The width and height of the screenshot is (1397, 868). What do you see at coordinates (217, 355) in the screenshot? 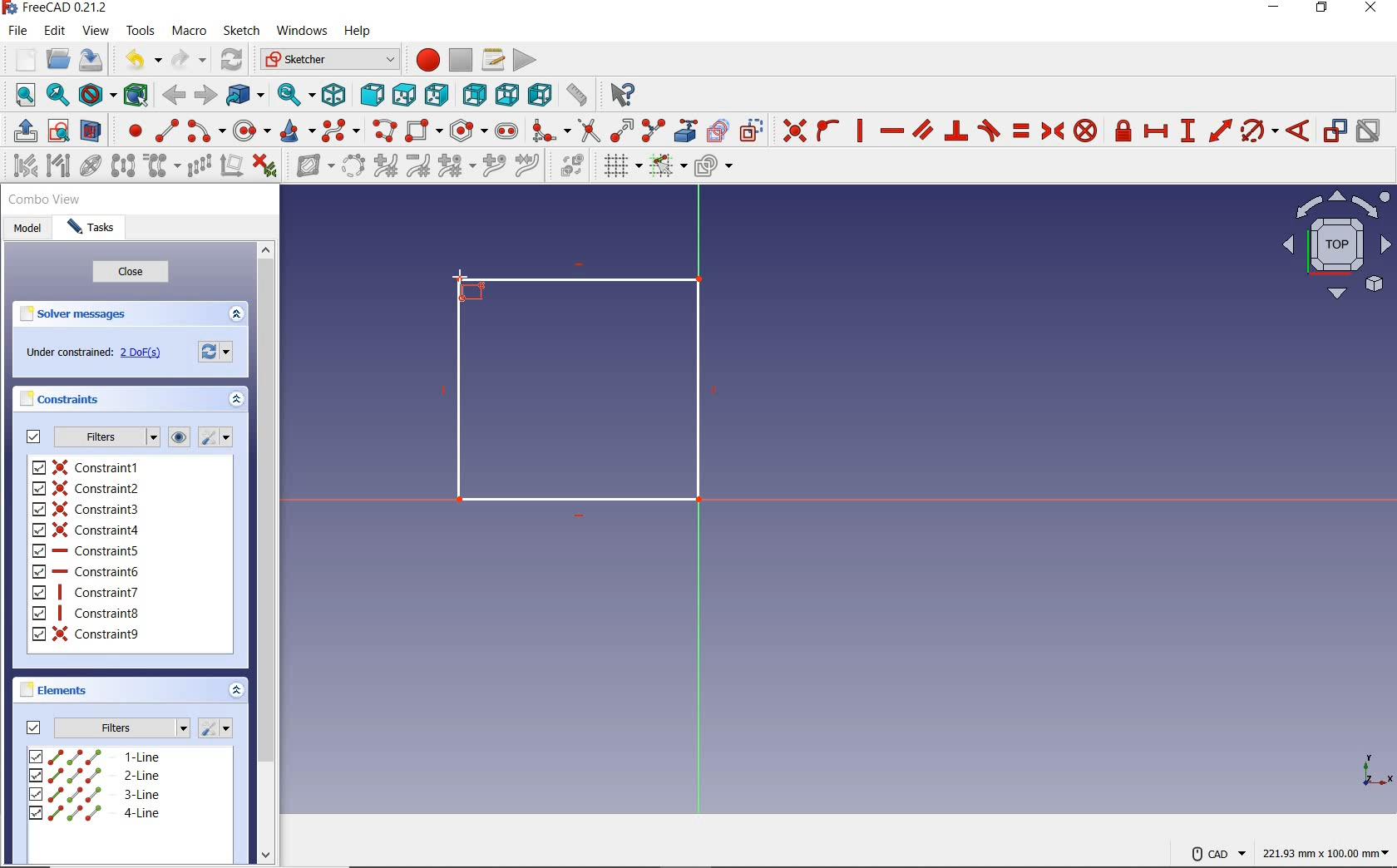
I see `forces recomputation of active document` at bounding box center [217, 355].